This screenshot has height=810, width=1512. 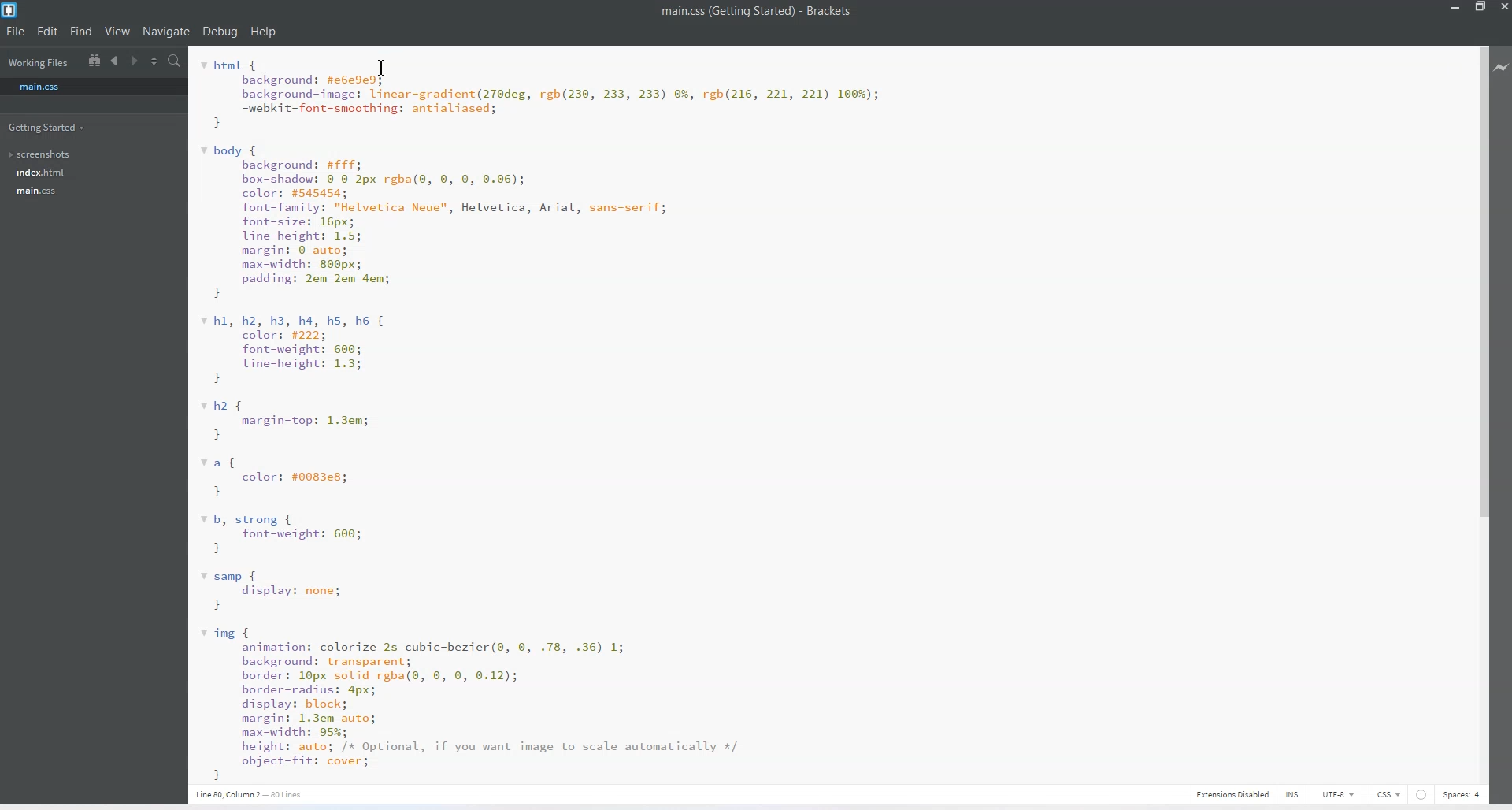 What do you see at coordinates (167, 32) in the screenshot?
I see `Navigate` at bounding box center [167, 32].